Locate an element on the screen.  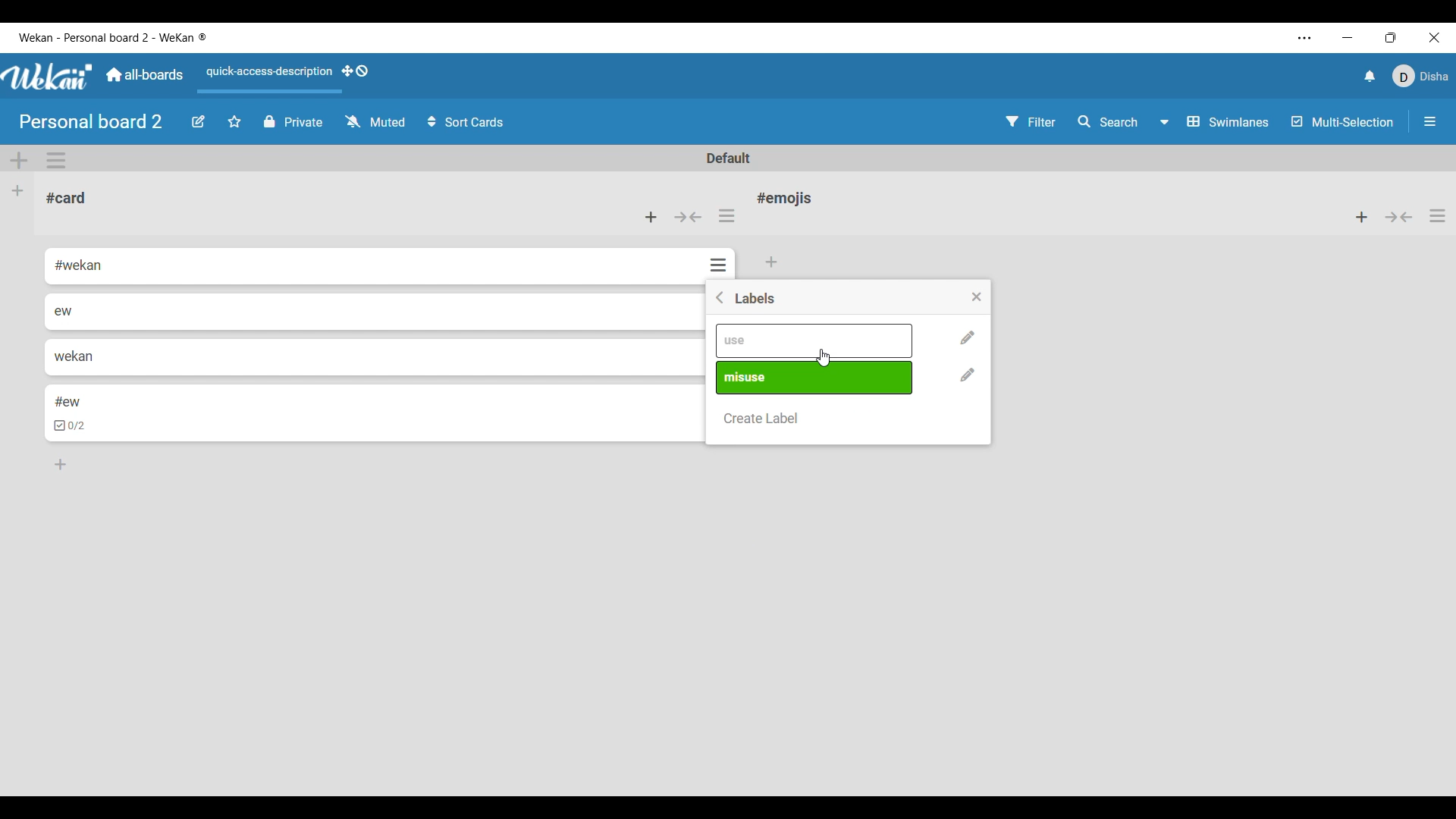
List actions is located at coordinates (726, 215).